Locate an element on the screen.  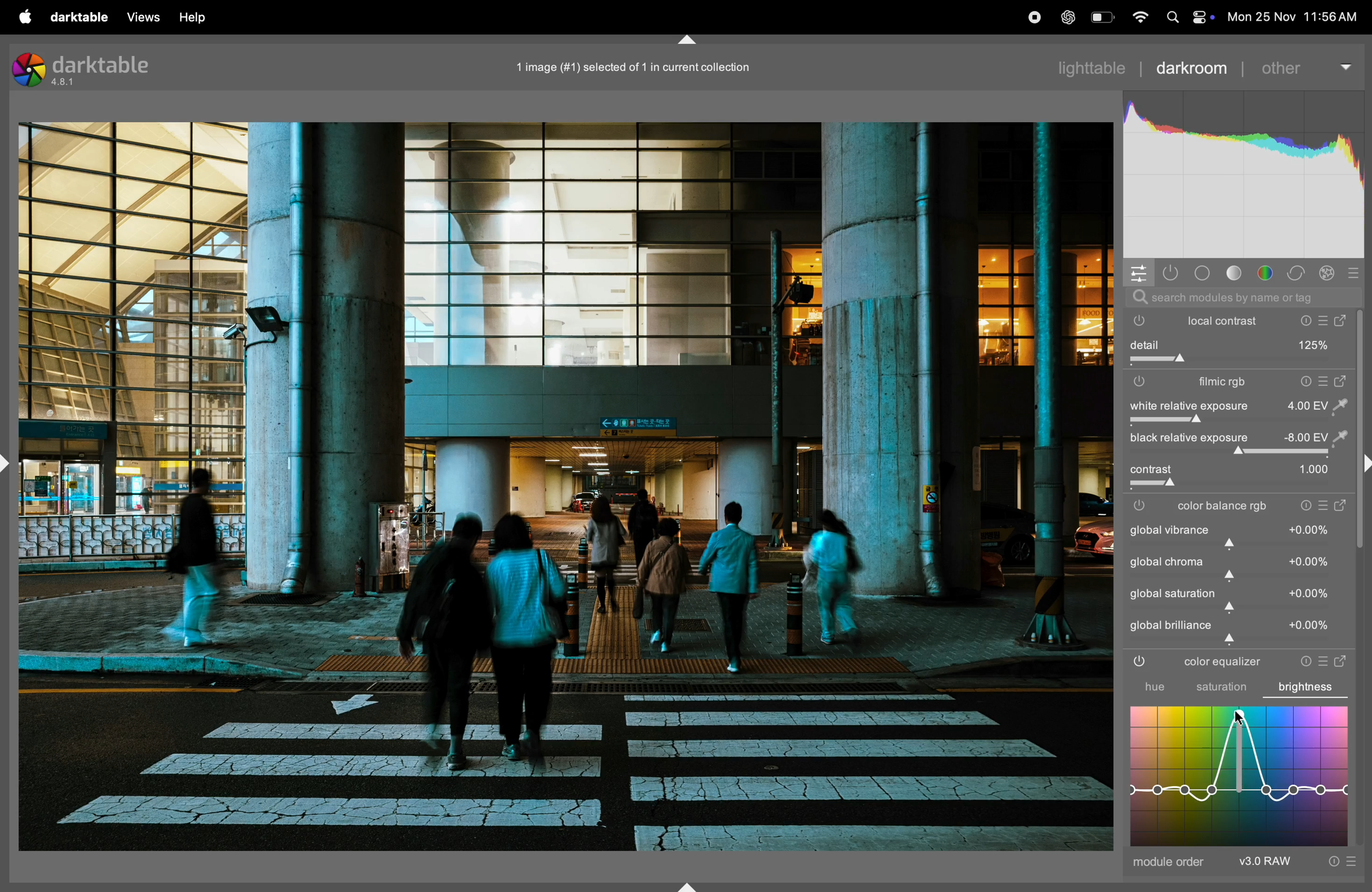
reset parameters is located at coordinates (1301, 660).